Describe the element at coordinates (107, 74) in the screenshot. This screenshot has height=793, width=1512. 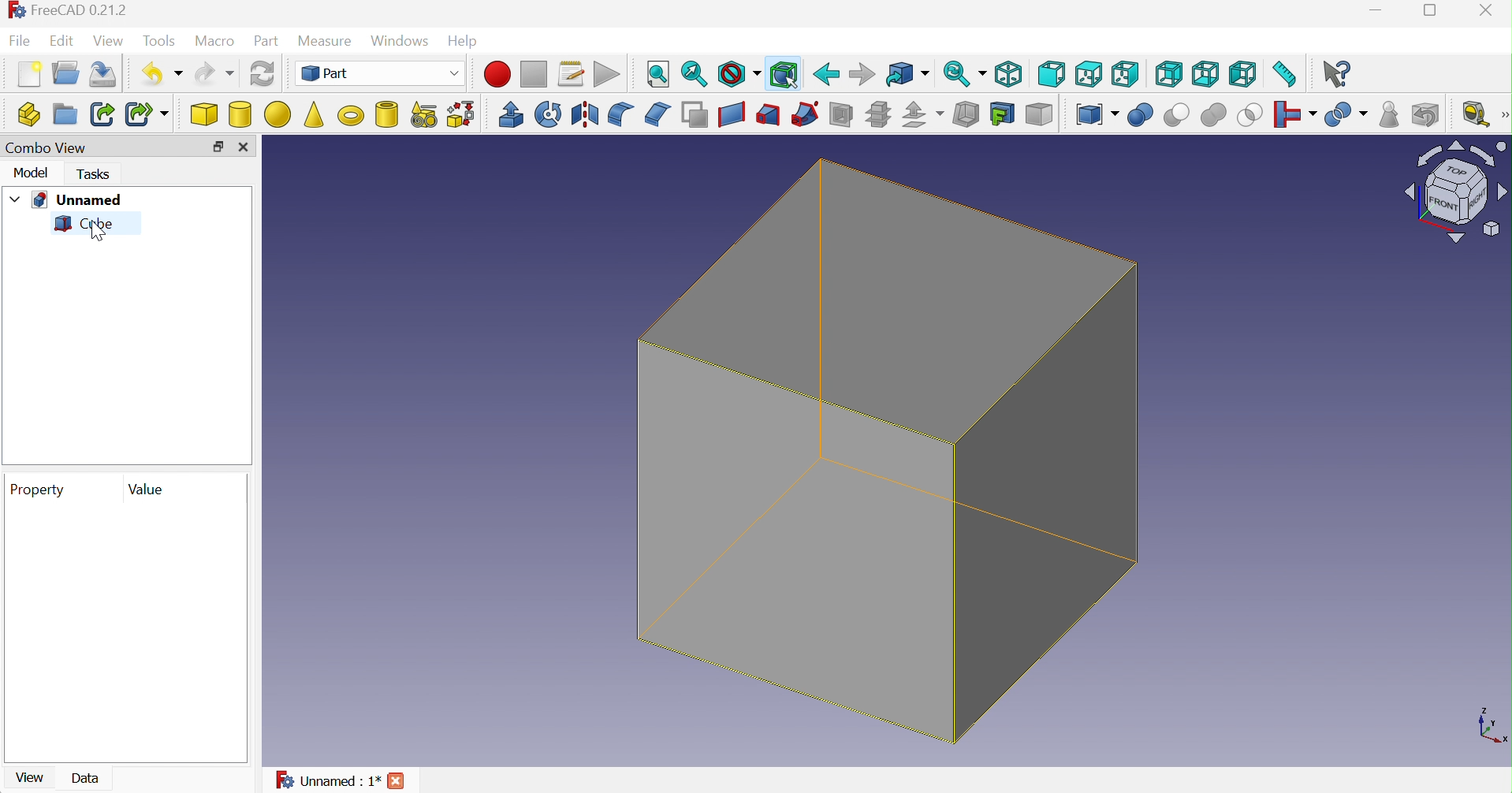
I see `Save` at that location.